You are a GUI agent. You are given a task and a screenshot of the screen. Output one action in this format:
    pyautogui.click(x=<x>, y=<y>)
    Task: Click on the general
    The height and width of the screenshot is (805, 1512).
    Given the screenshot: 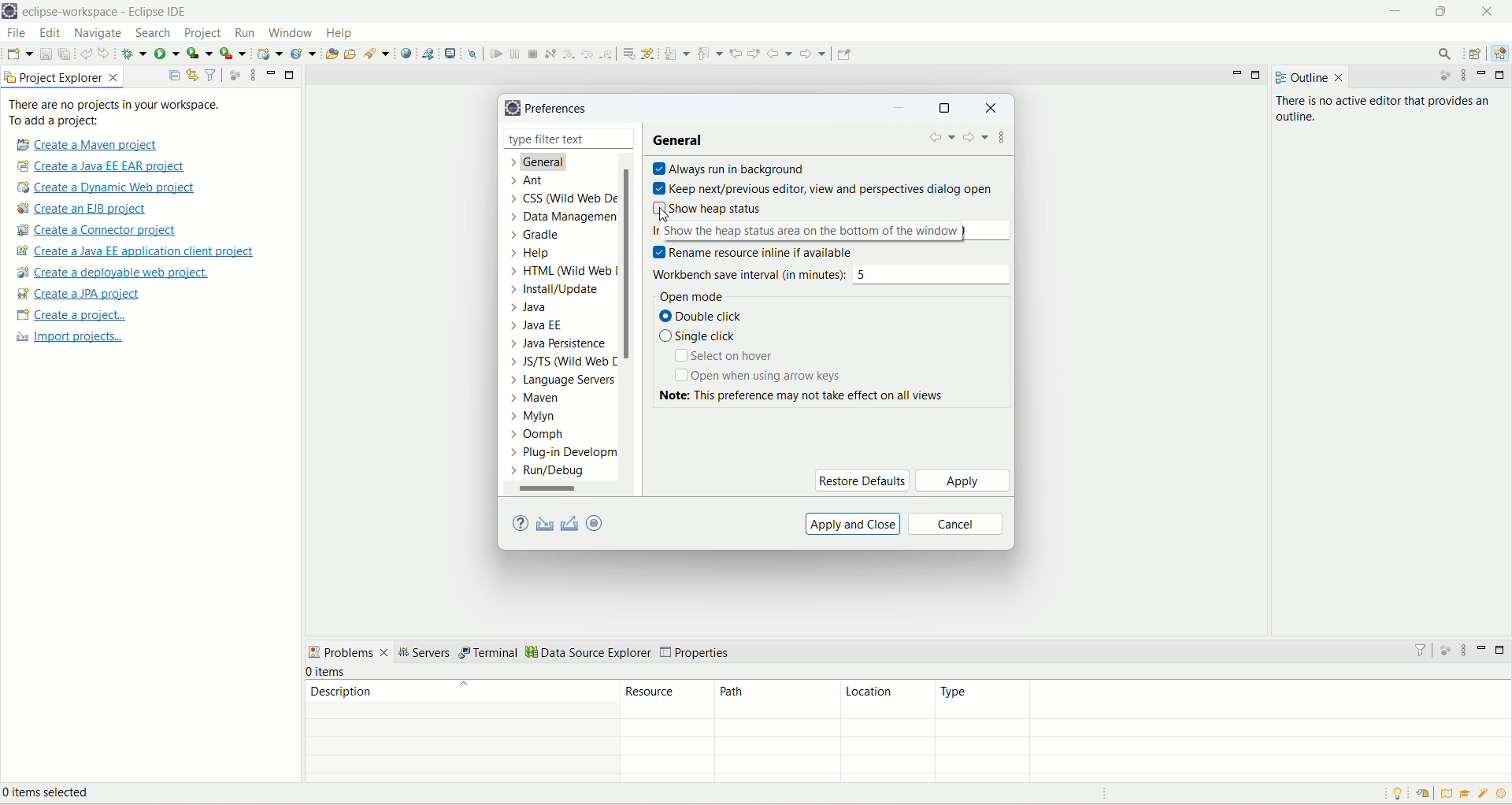 What is the action you would take?
    pyautogui.click(x=547, y=164)
    